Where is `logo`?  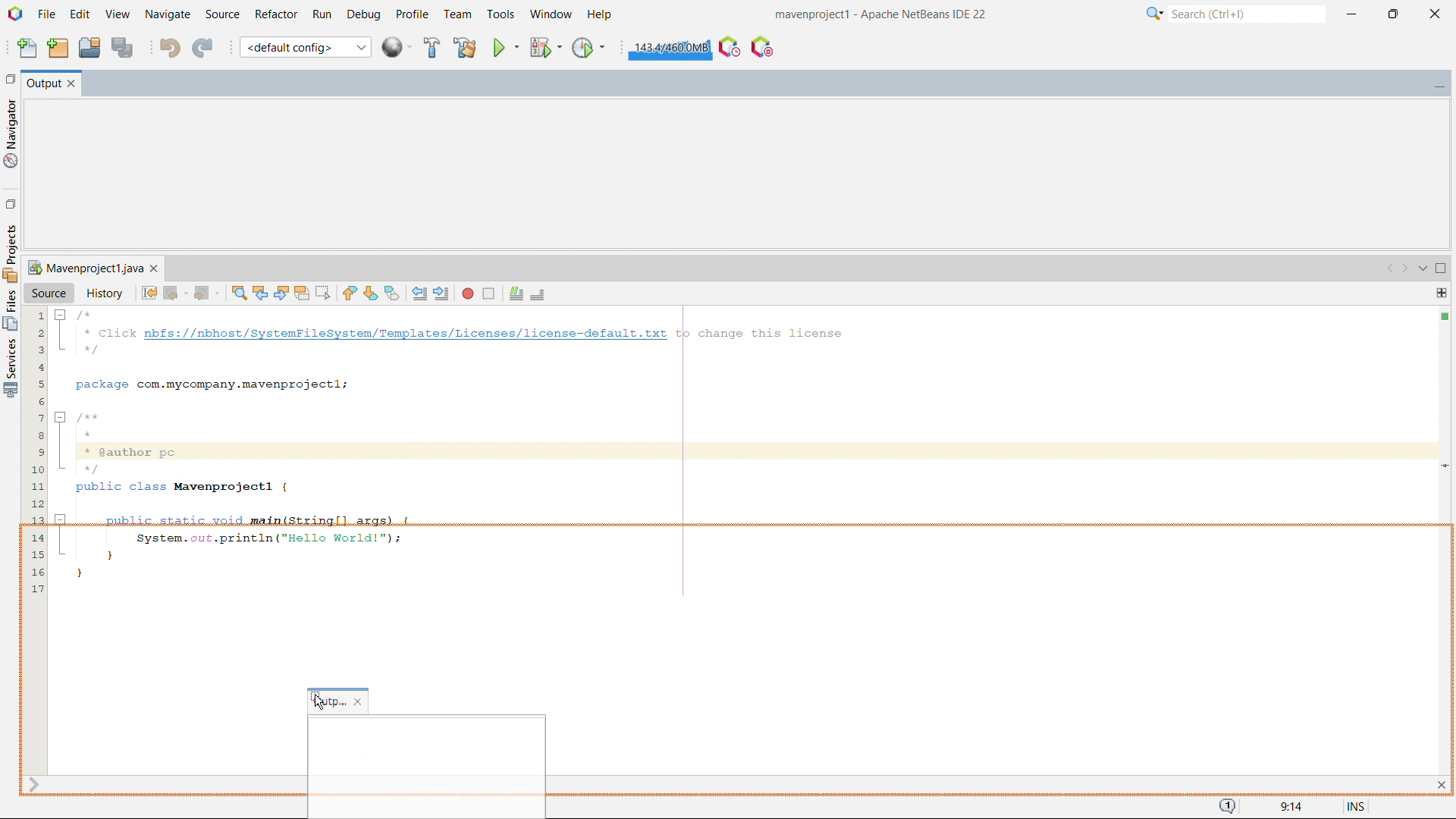
logo is located at coordinates (15, 14).